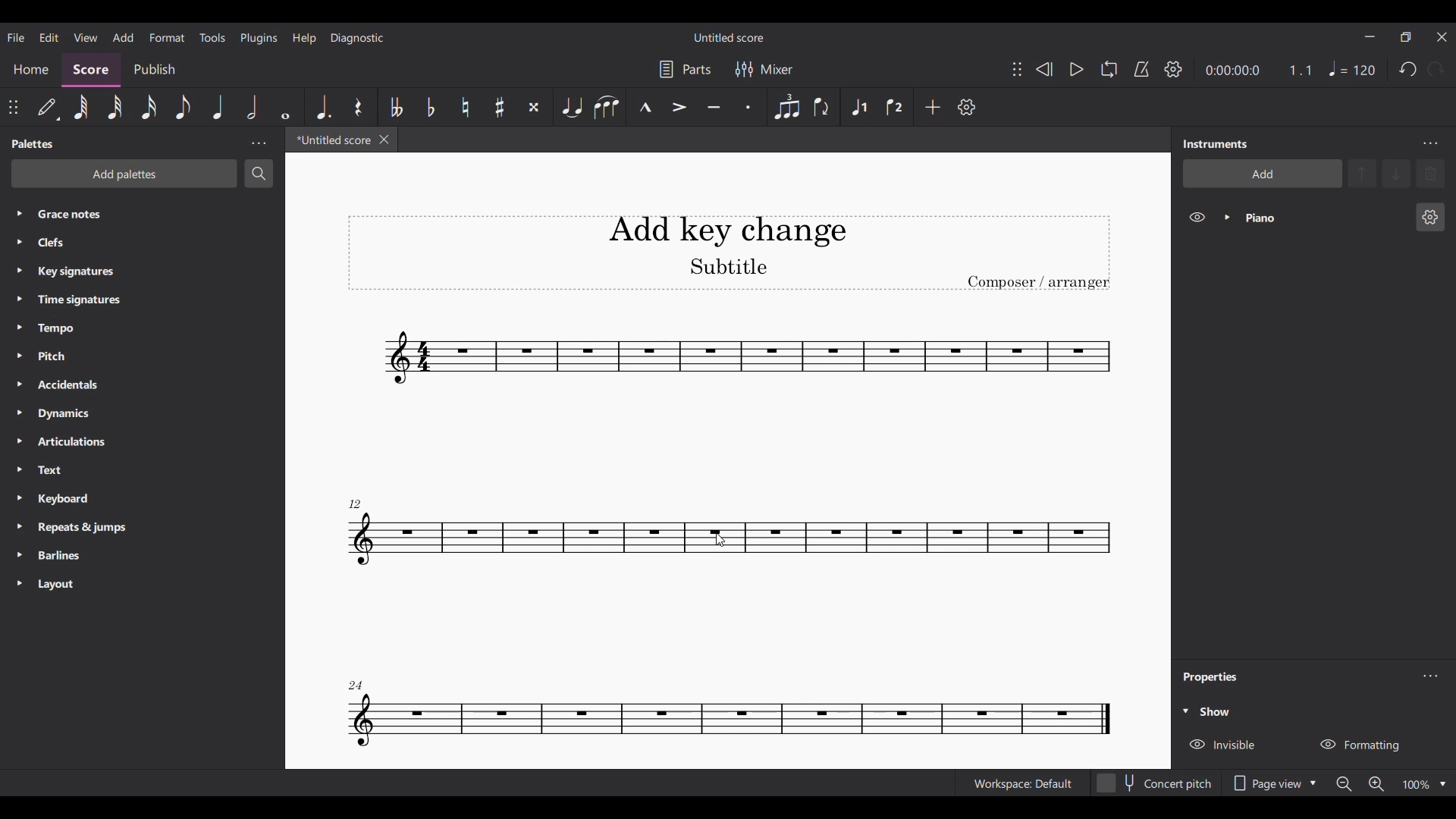 The width and height of the screenshot is (1456, 819). What do you see at coordinates (1022, 784) in the screenshot?
I see `Workspace: default` at bounding box center [1022, 784].